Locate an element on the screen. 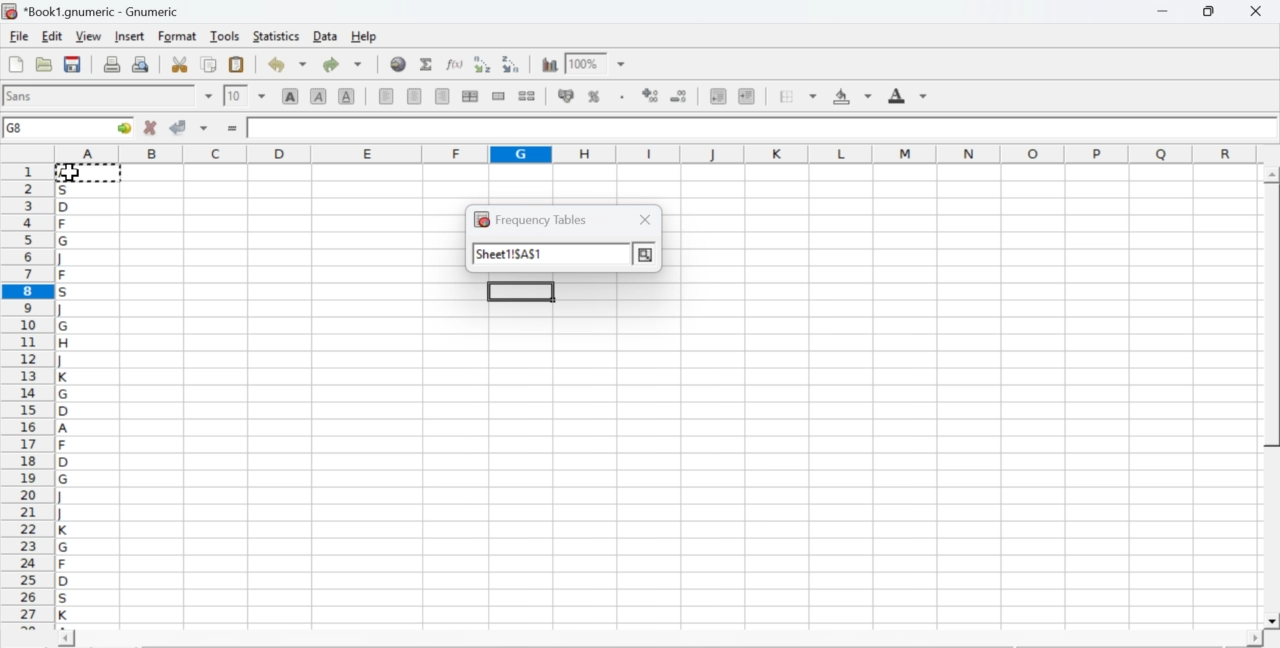  accept changes across selection is located at coordinates (203, 127).